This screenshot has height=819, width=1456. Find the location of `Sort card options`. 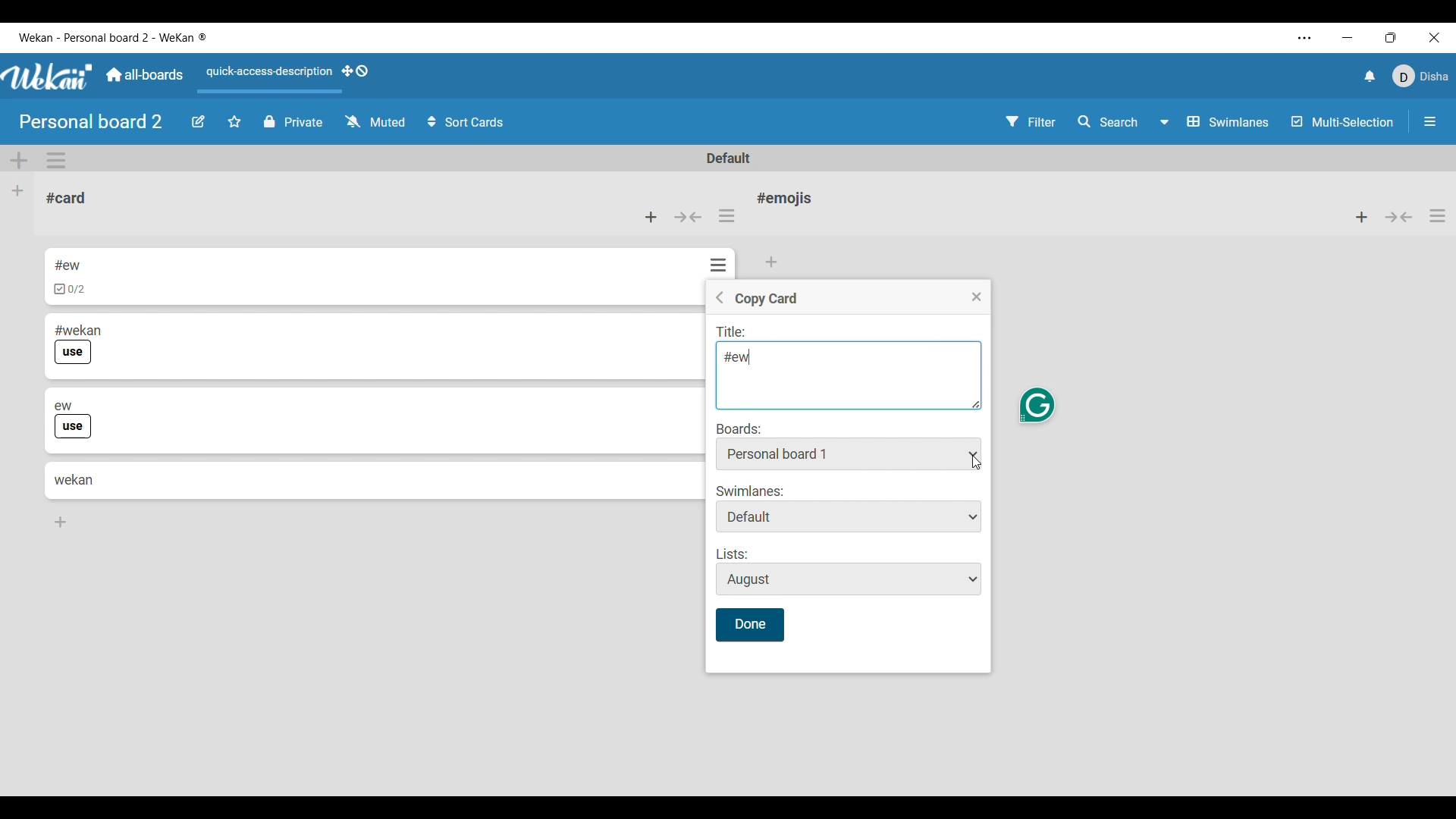

Sort card options is located at coordinates (466, 122).